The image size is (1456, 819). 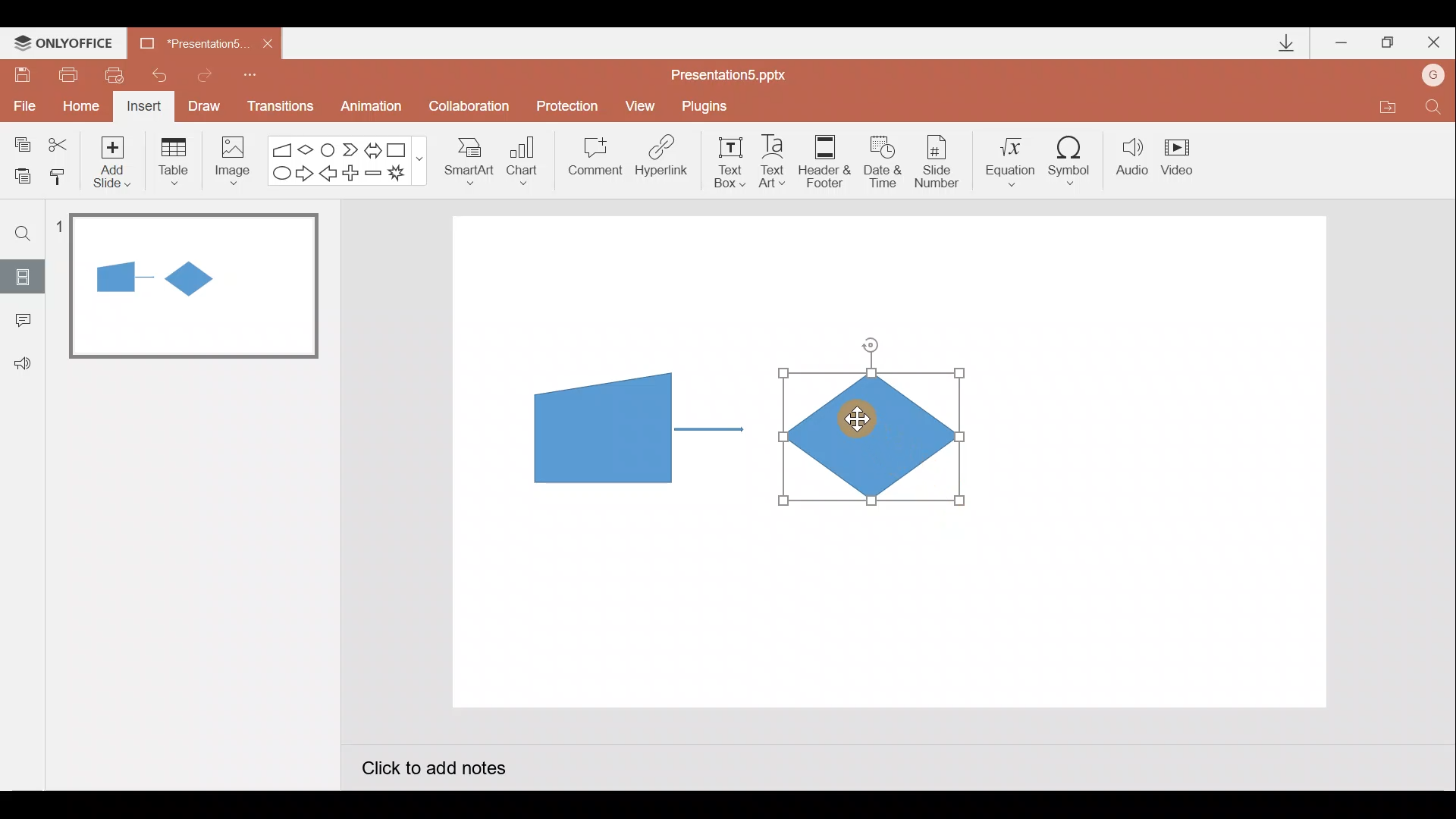 What do you see at coordinates (59, 174) in the screenshot?
I see `Copy style` at bounding box center [59, 174].